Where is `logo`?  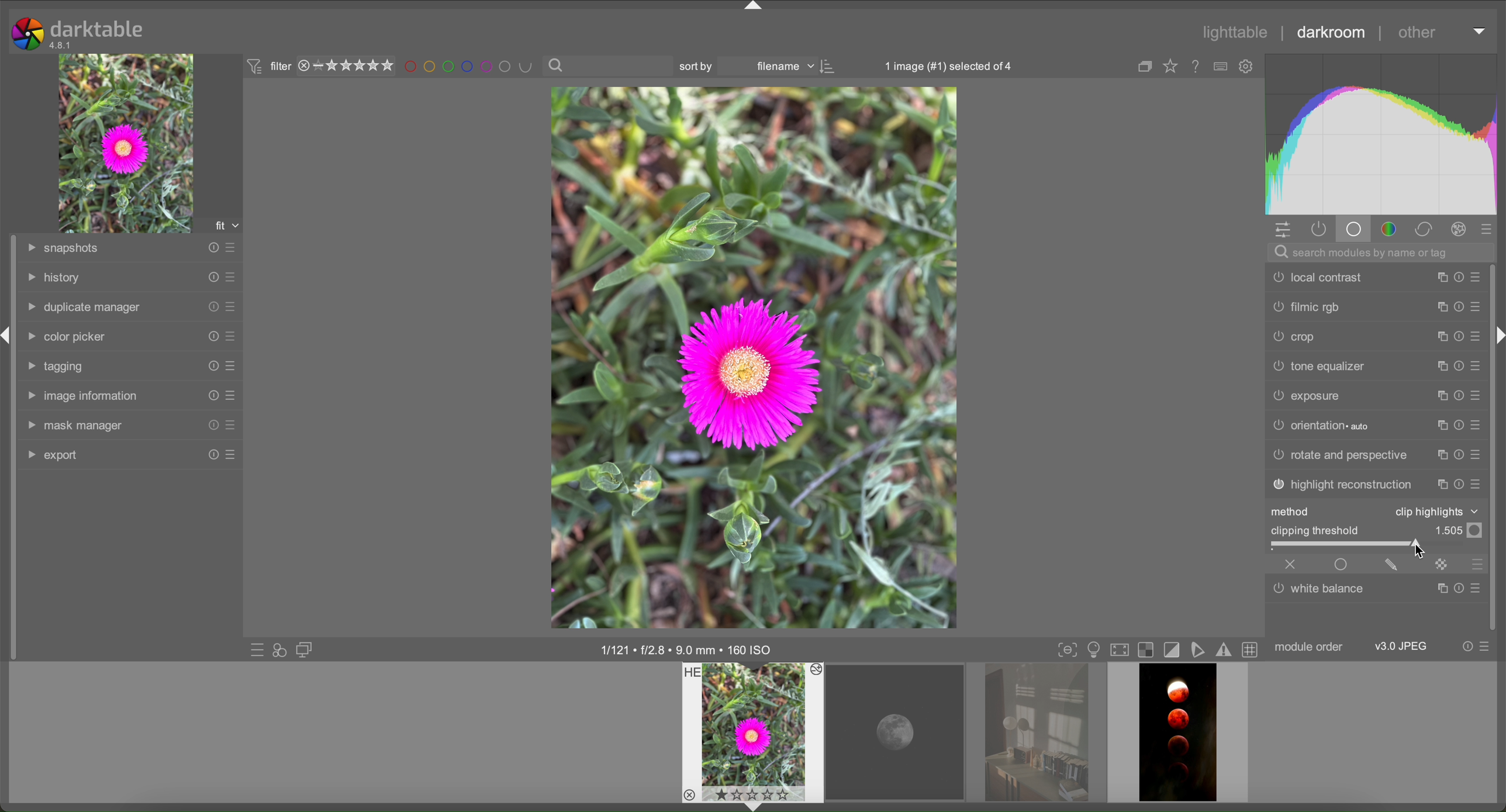
logo is located at coordinates (27, 34).